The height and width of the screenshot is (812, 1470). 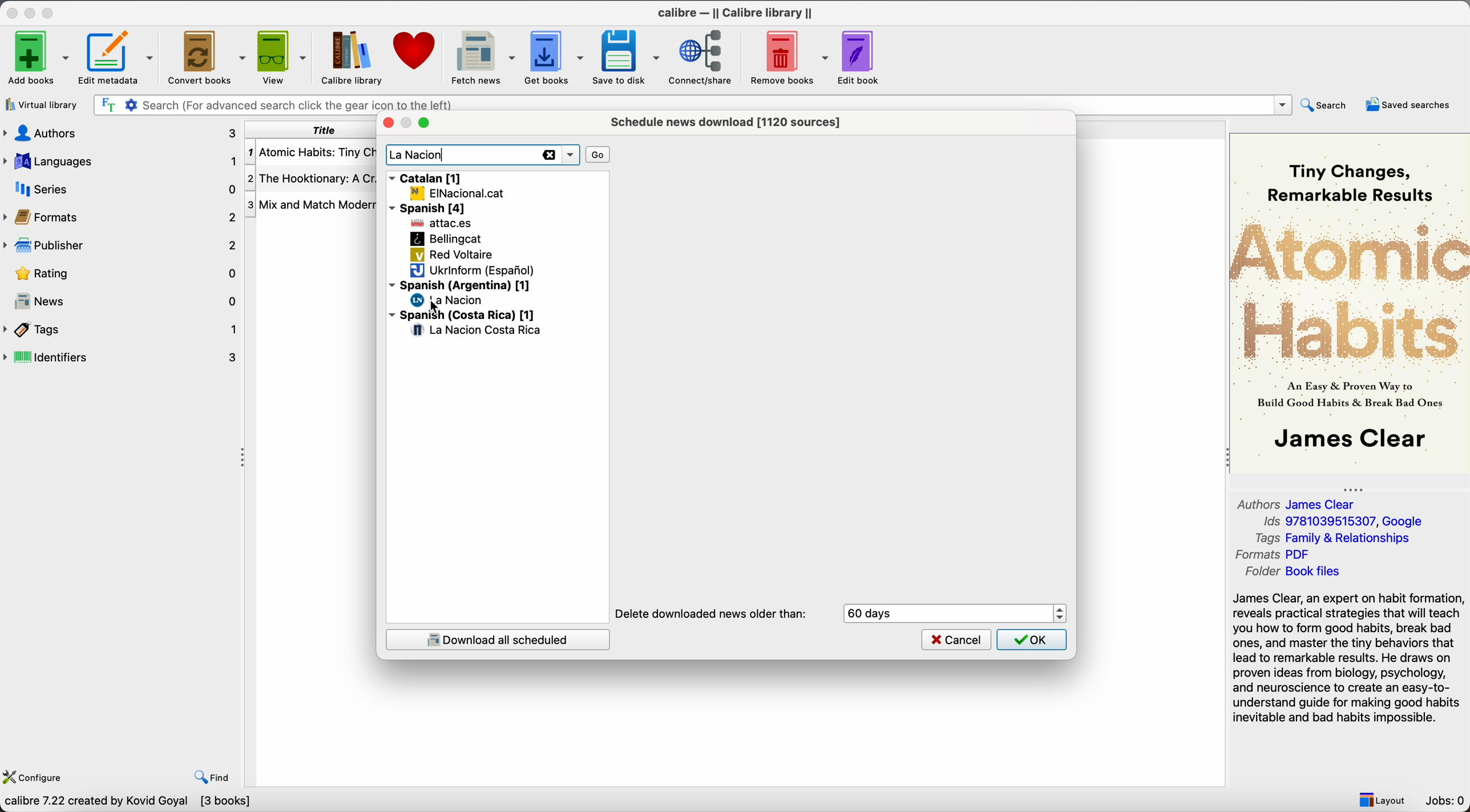 What do you see at coordinates (1032, 640) in the screenshot?
I see `OK` at bounding box center [1032, 640].